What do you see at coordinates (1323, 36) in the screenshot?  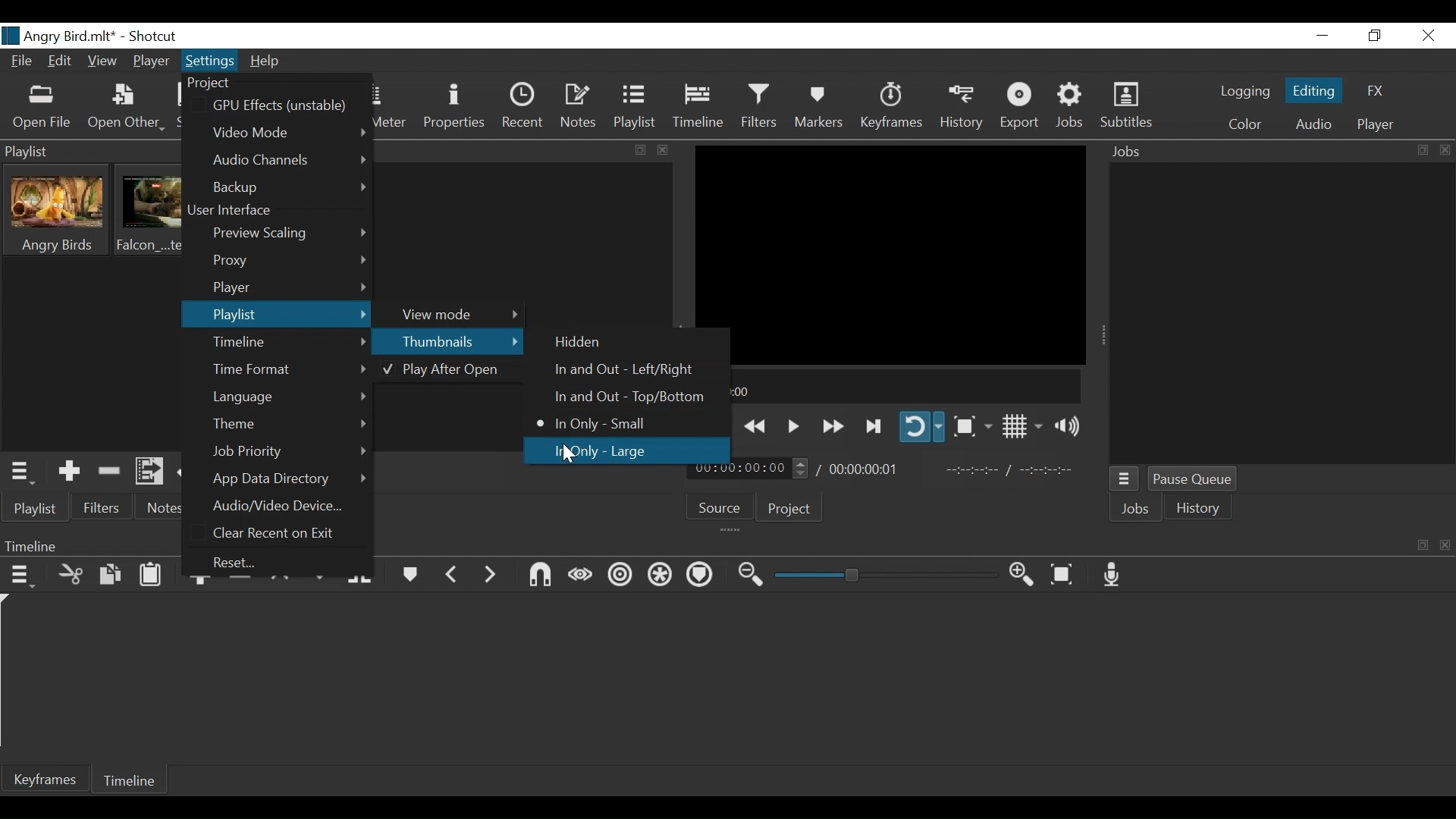 I see `minimize` at bounding box center [1323, 36].